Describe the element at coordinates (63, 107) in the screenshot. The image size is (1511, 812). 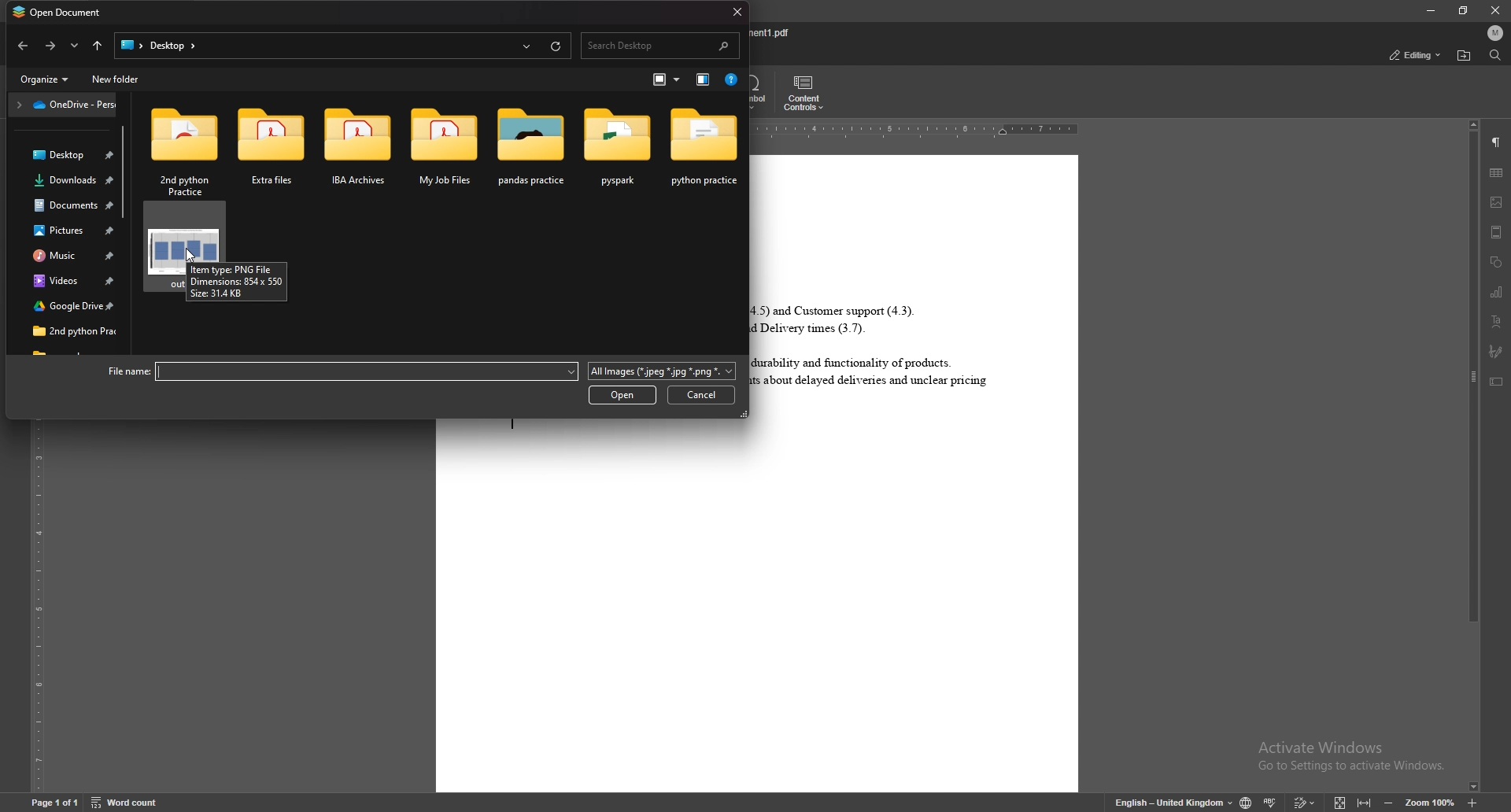
I see `one drive` at that location.